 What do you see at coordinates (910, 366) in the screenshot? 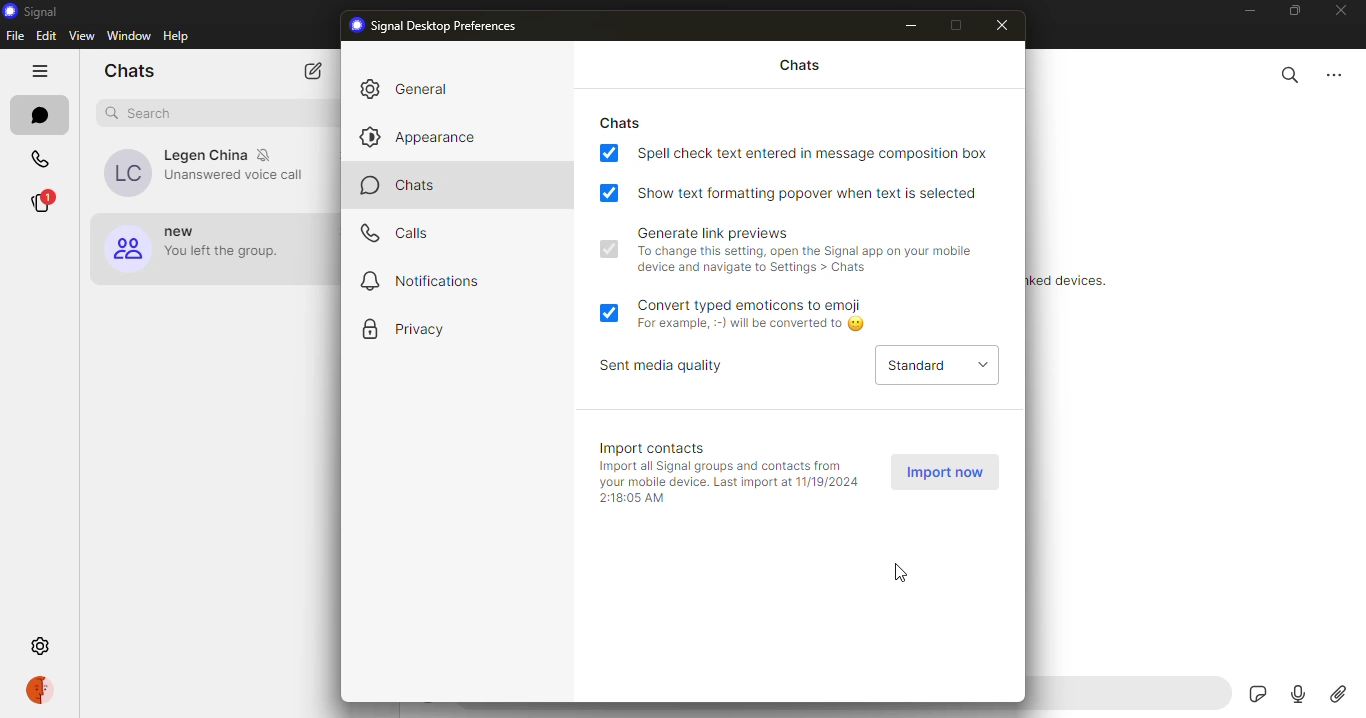
I see `standard` at bounding box center [910, 366].